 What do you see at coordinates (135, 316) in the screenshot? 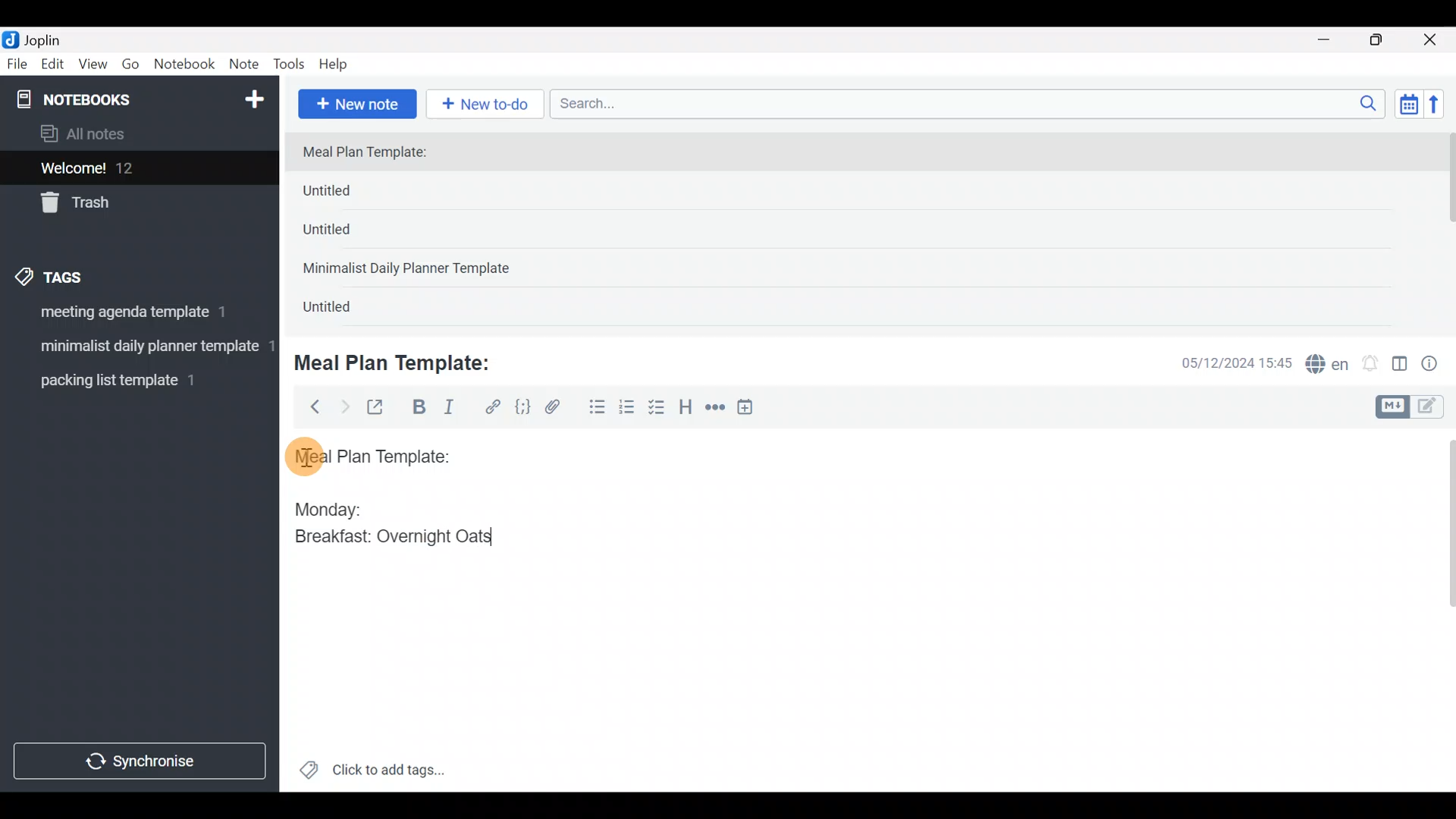
I see `Tag 1` at bounding box center [135, 316].